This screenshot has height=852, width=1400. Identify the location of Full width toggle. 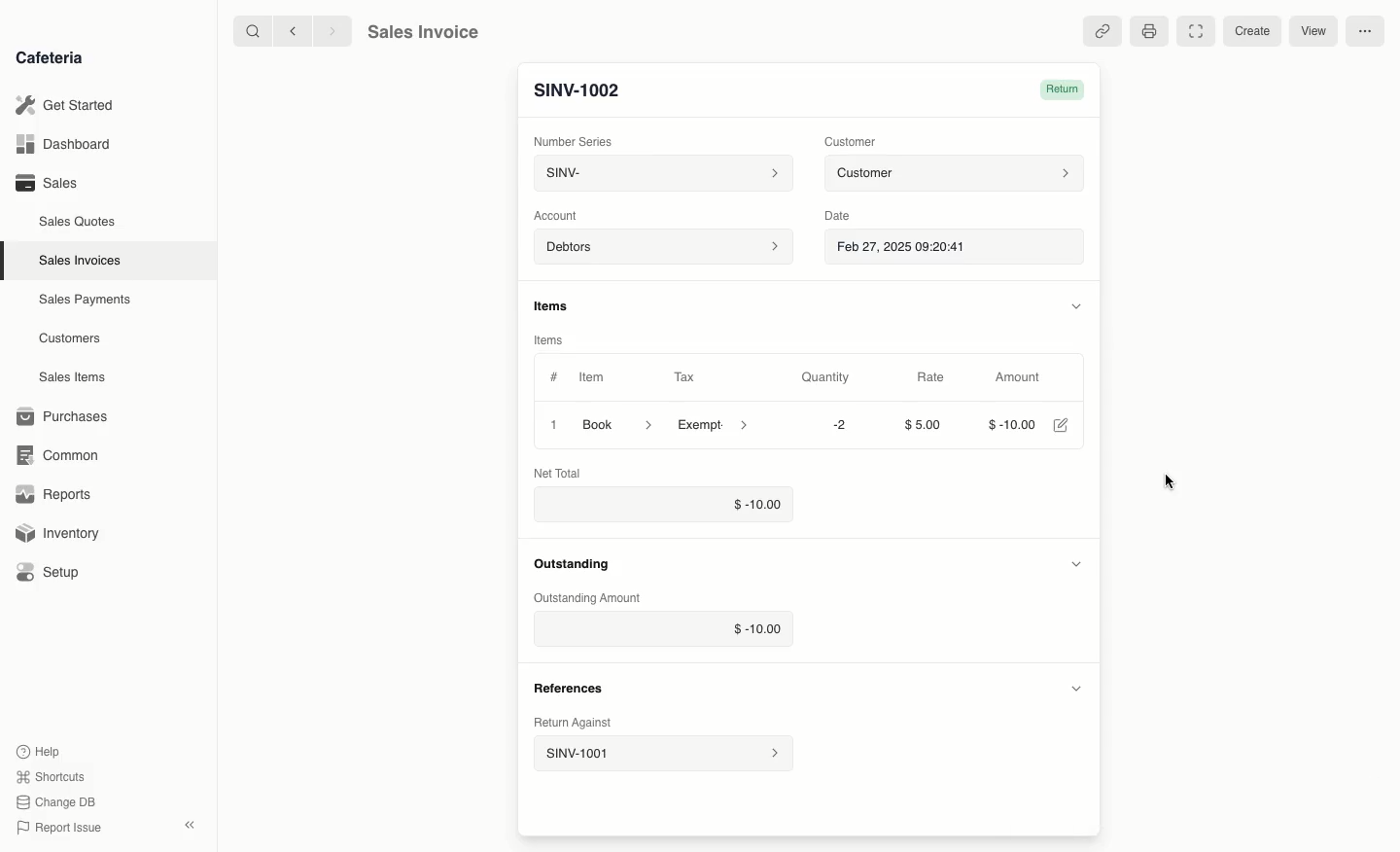
(1195, 30).